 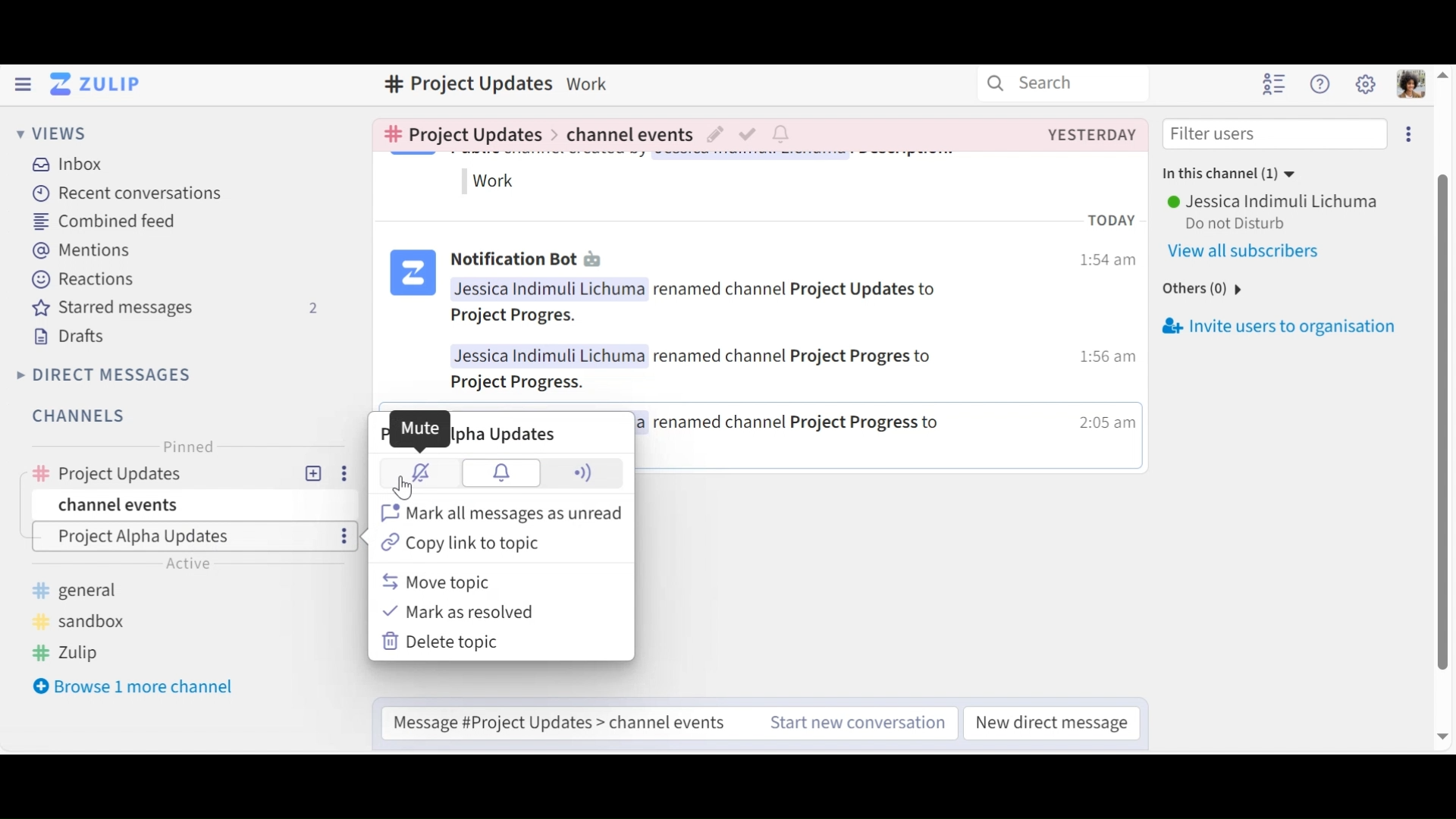 What do you see at coordinates (459, 133) in the screenshot?
I see `Go to channel` at bounding box center [459, 133].